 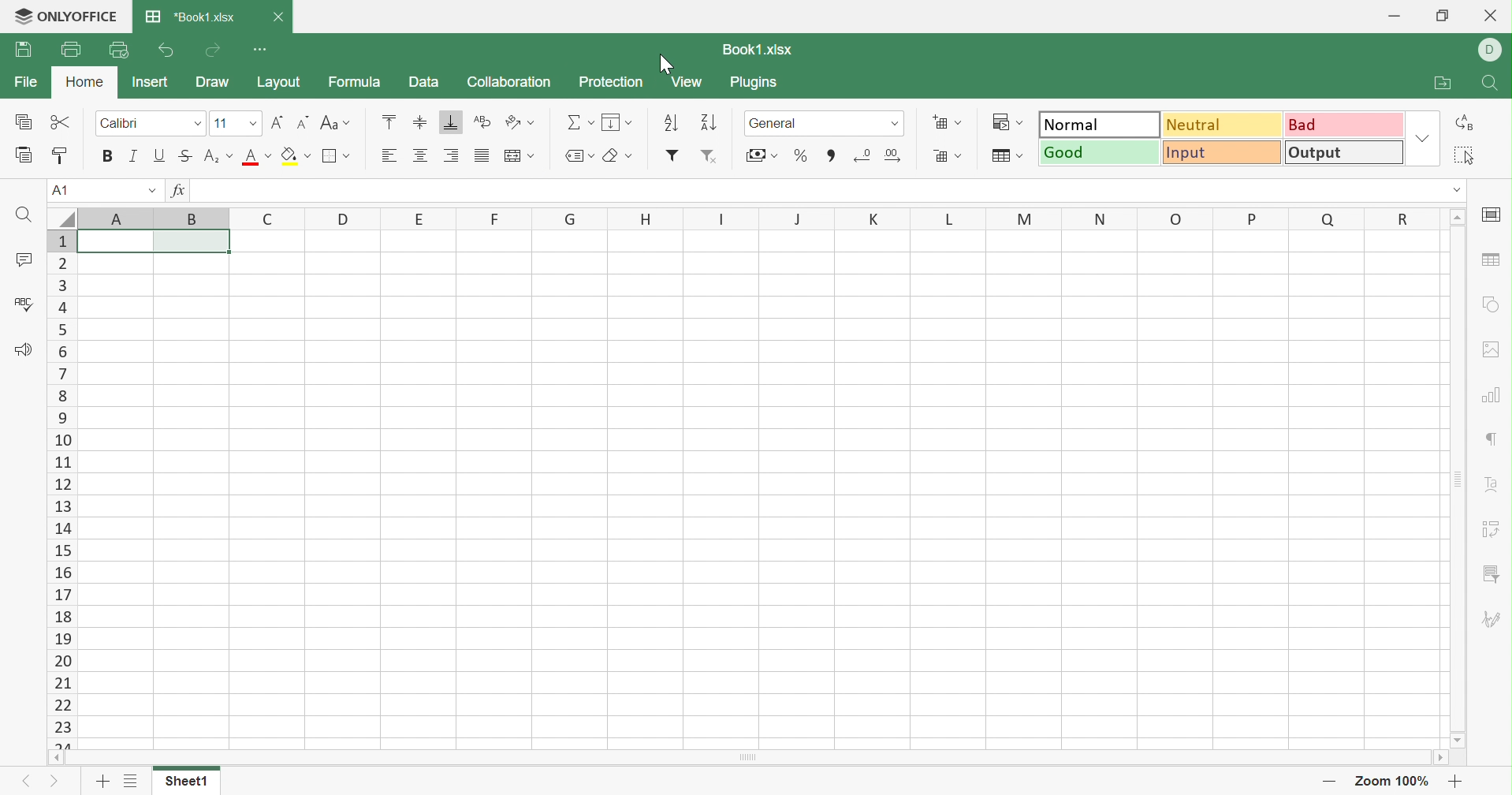 I want to click on Scroll Down, so click(x=1456, y=740).